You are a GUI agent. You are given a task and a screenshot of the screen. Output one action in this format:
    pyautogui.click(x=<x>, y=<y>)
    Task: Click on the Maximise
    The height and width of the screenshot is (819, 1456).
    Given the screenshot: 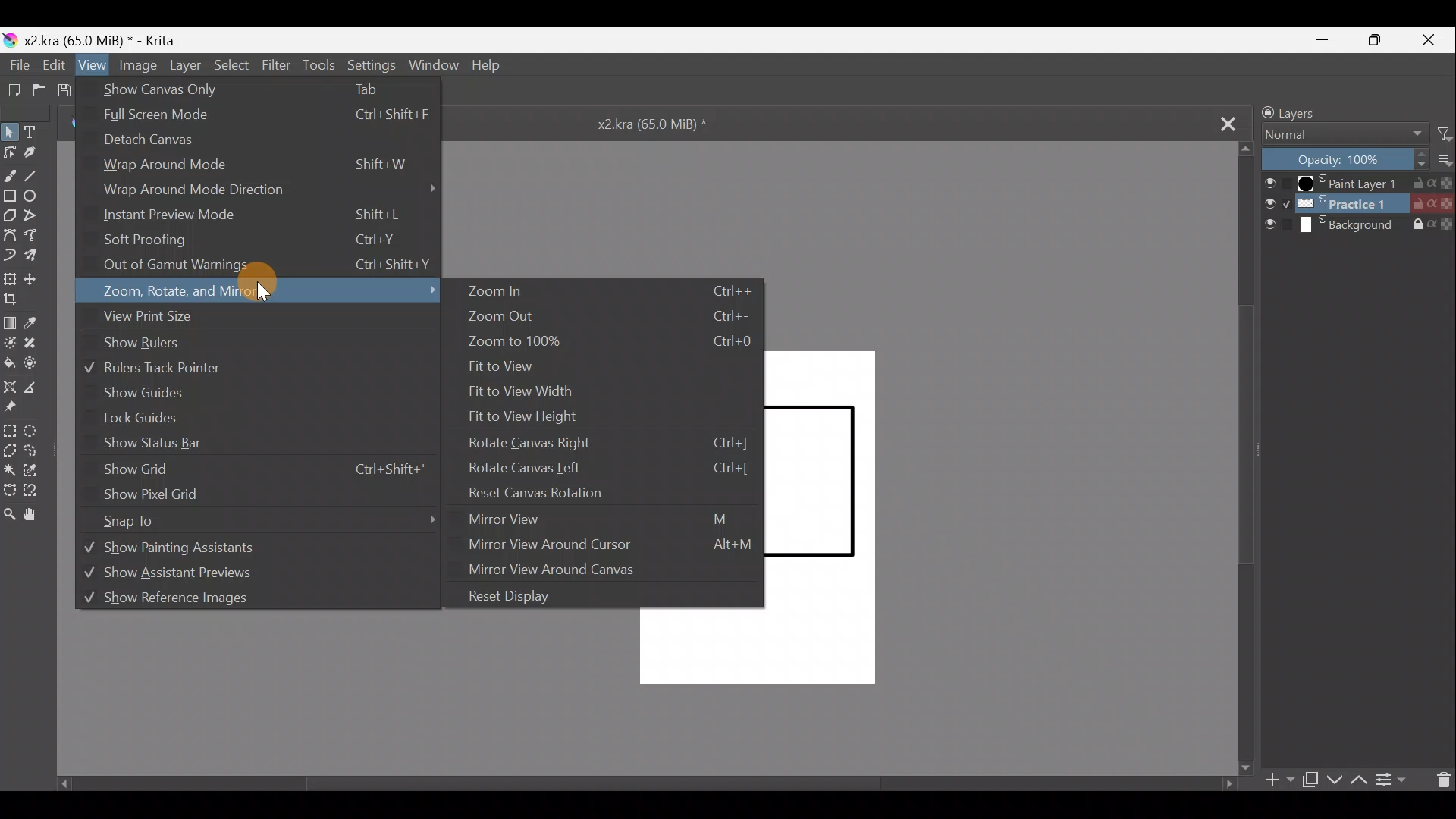 What is the action you would take?
    pyautogui.click(x=1381, y=40)
    